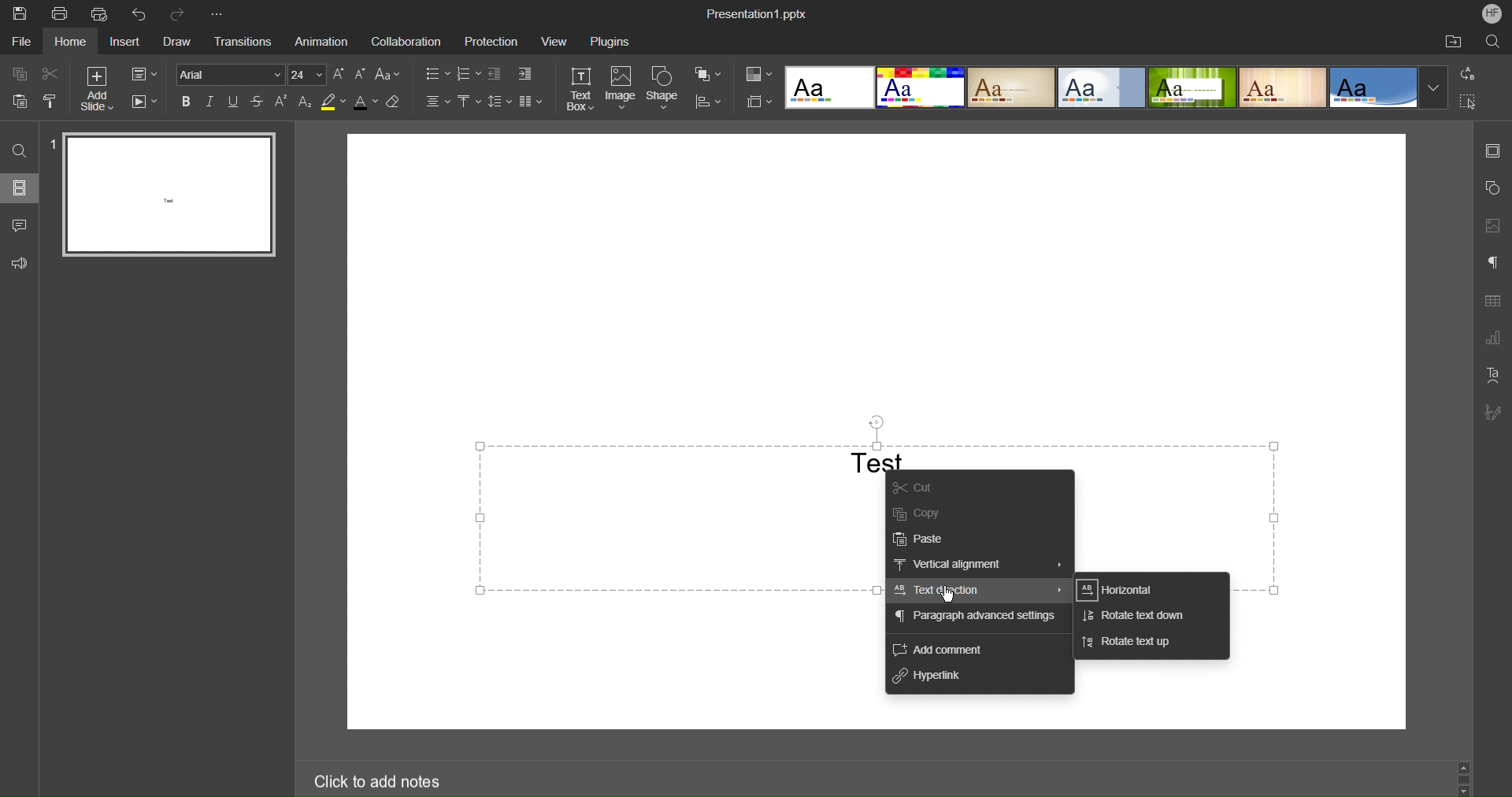  What do you see at coordinates (17, 13) in the screenshot?
I see `Save` at bounding box center [17, 13].